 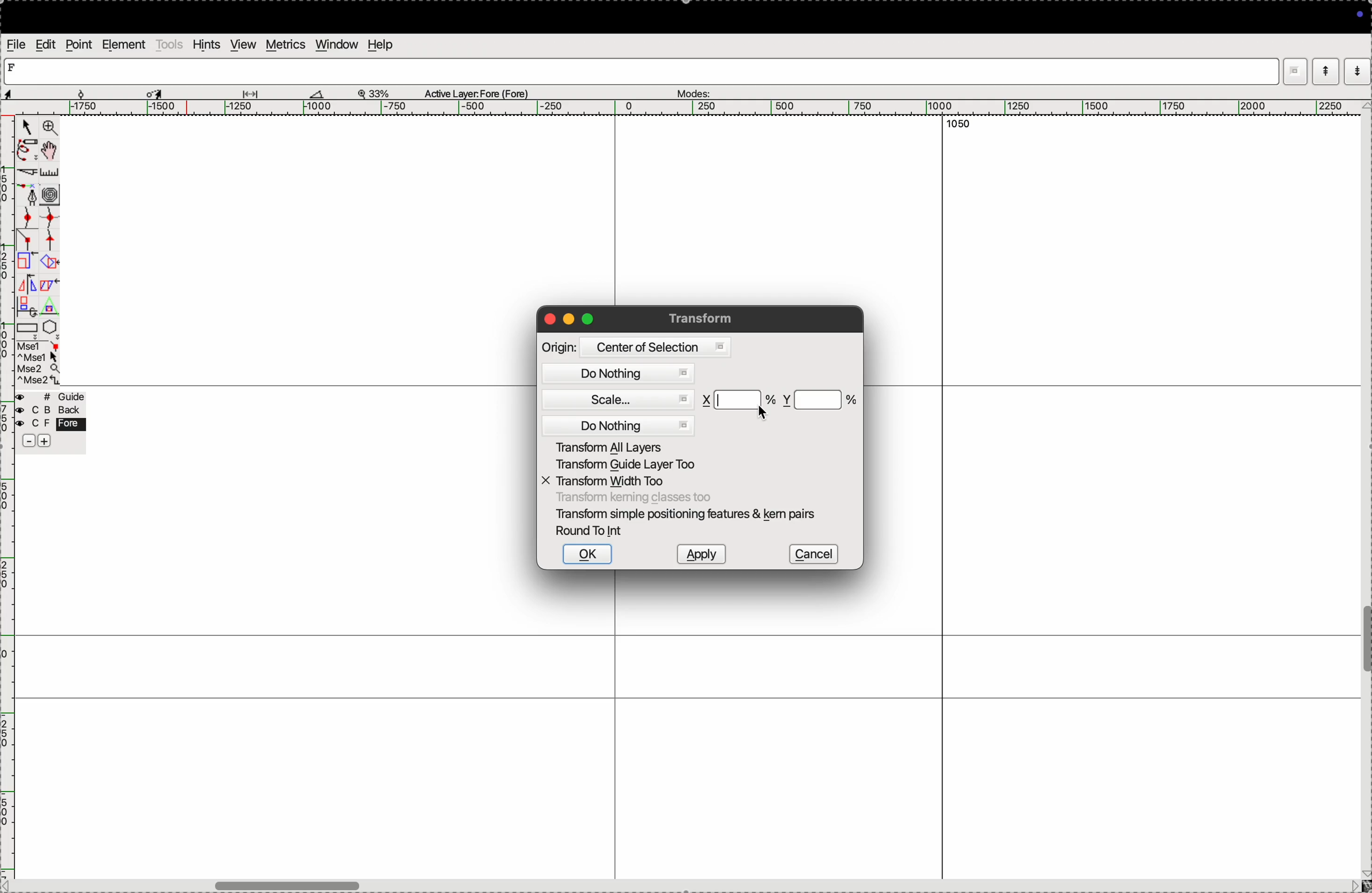 What do you see at coordinates (559, 347) in the screenshot?
I see `origin` at bounding box center [559, 347].